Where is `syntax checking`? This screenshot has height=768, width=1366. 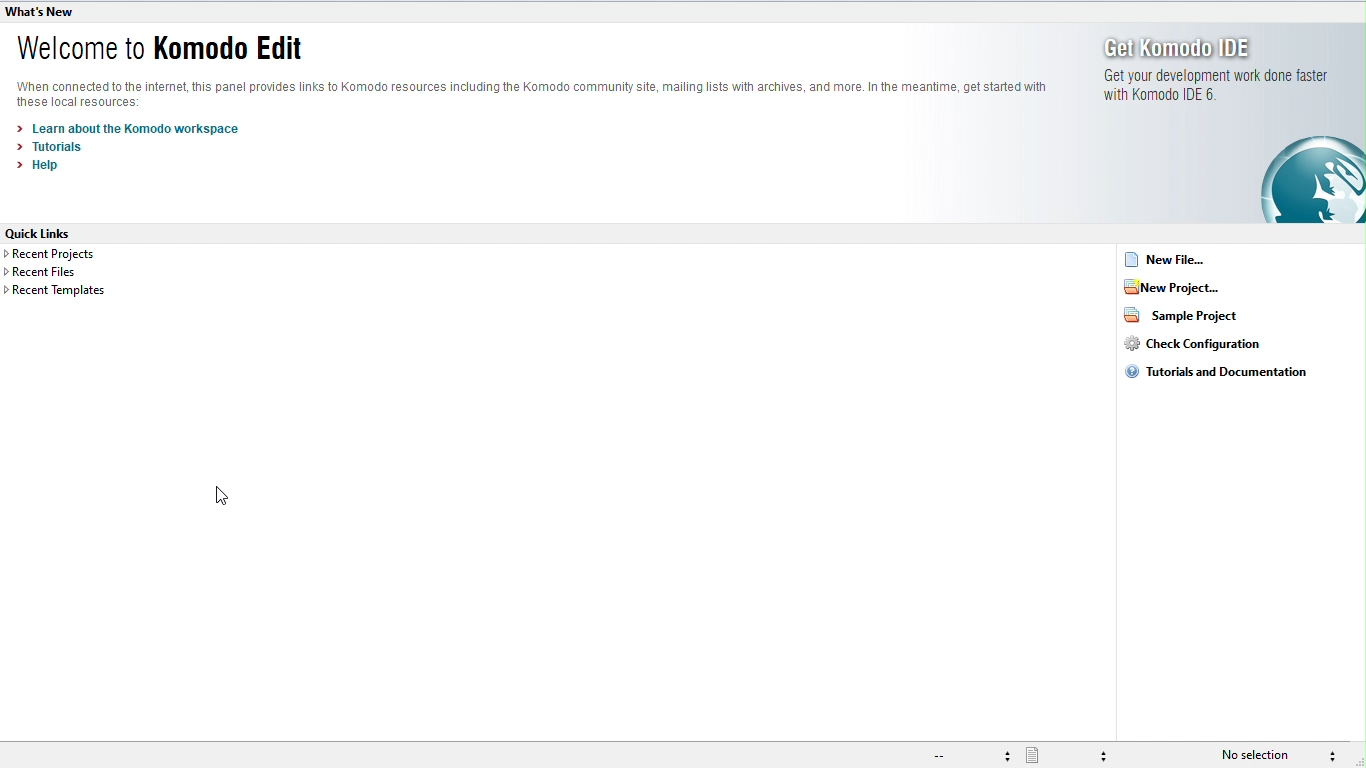
syntax checking is located at coordinates (1342, 755).